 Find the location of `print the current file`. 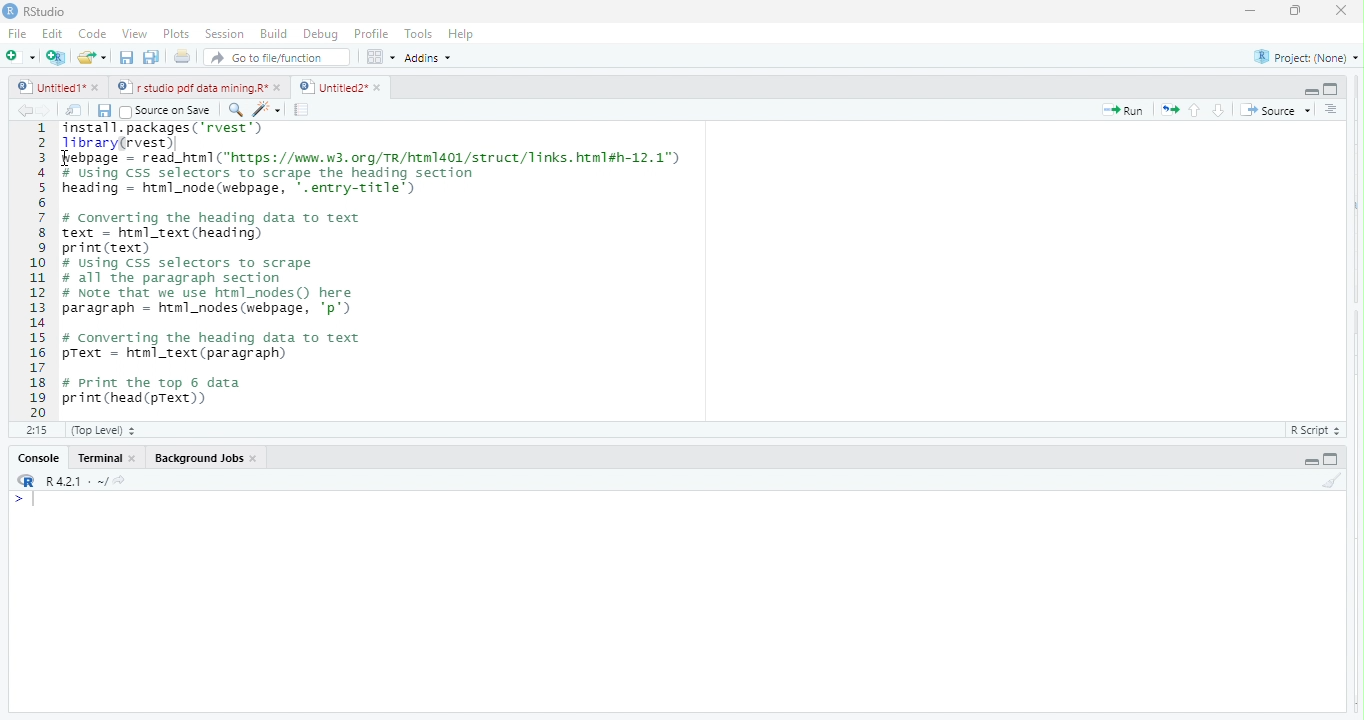

print the current file is located at coordinates (179, 58).